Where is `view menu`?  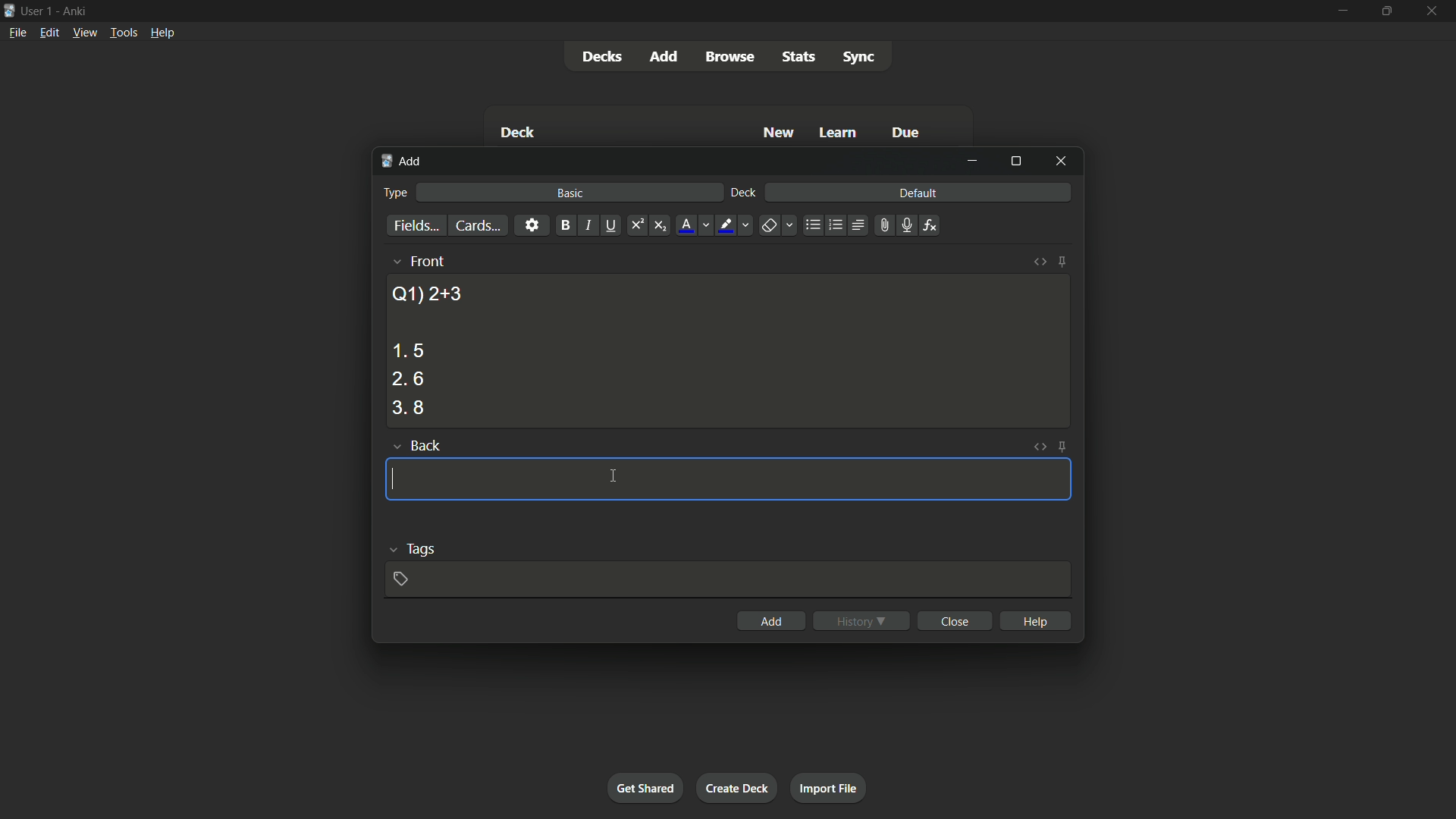
view menu is located at coordinates (83, 31).